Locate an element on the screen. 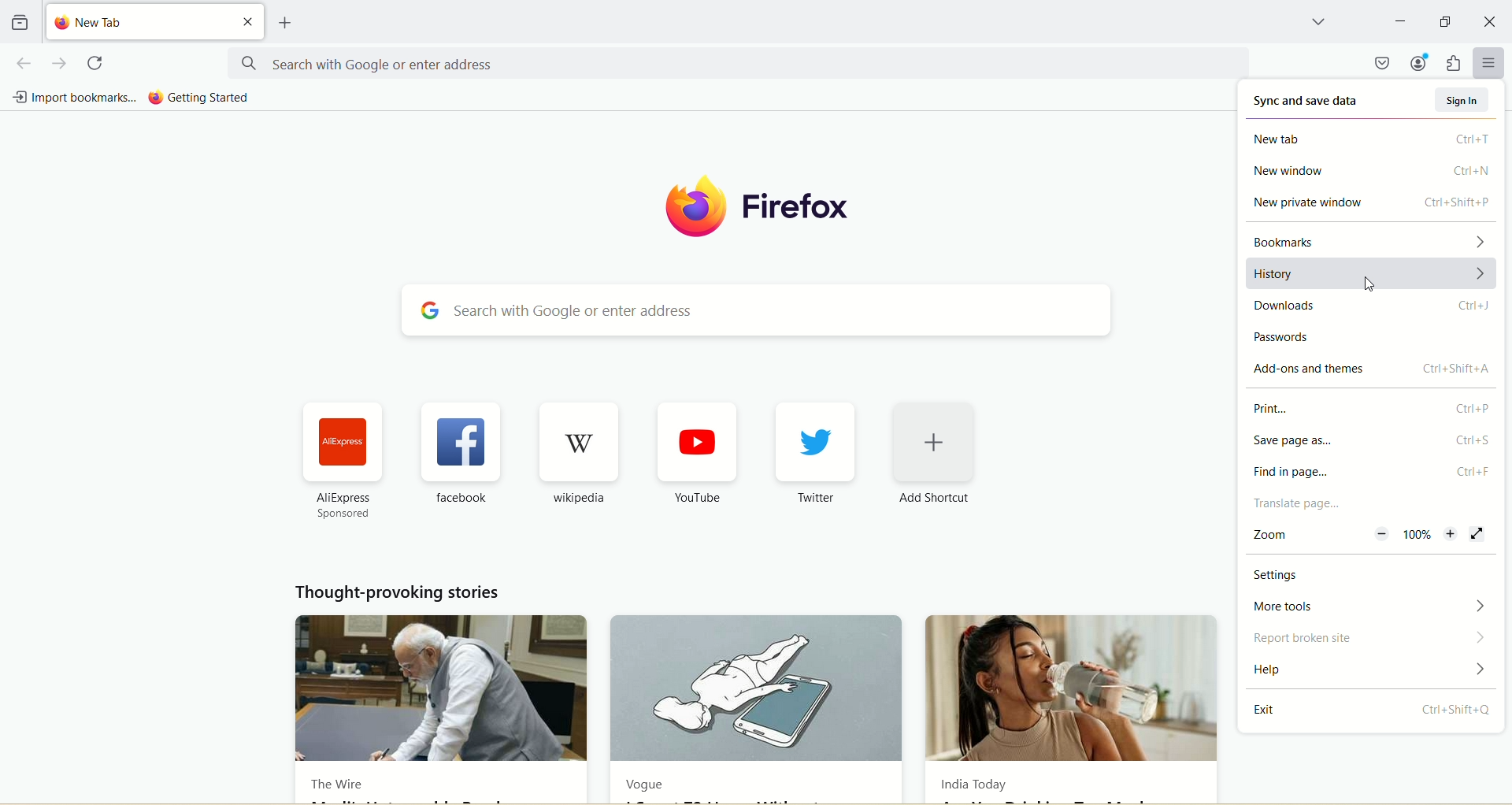 The height and width of the screenshot is (805, 1512). search with google or enter address is located at coordinates (754, 309).